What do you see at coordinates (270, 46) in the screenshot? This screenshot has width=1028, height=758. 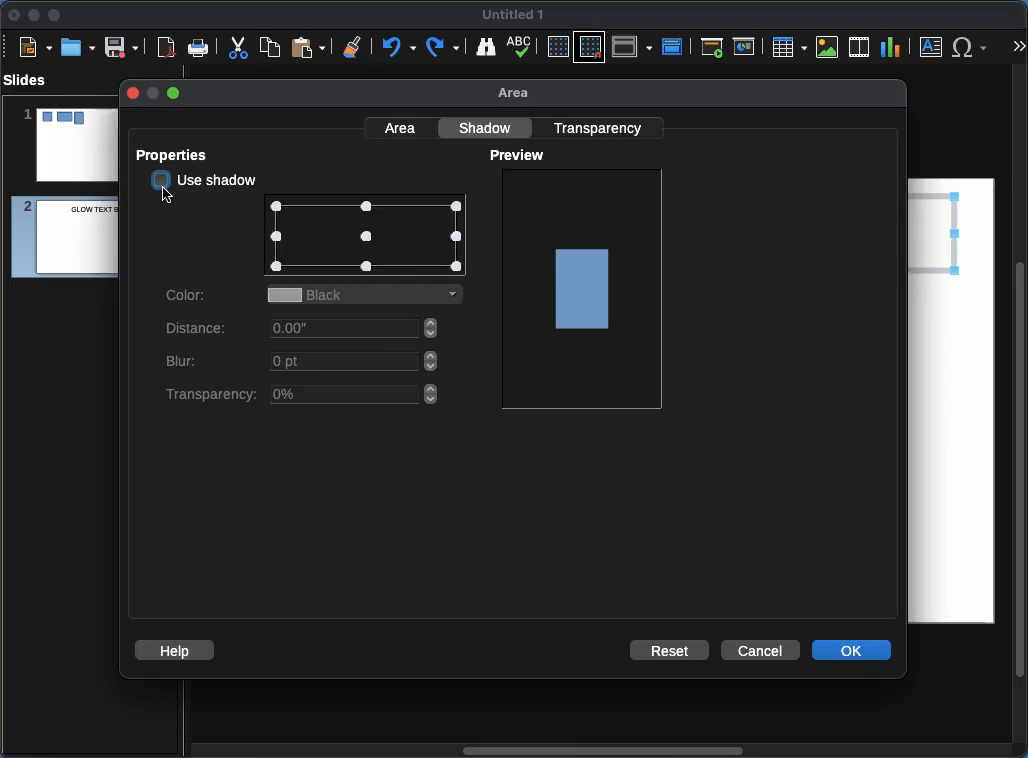 I see `Copy` at bounding box center [270, 46].